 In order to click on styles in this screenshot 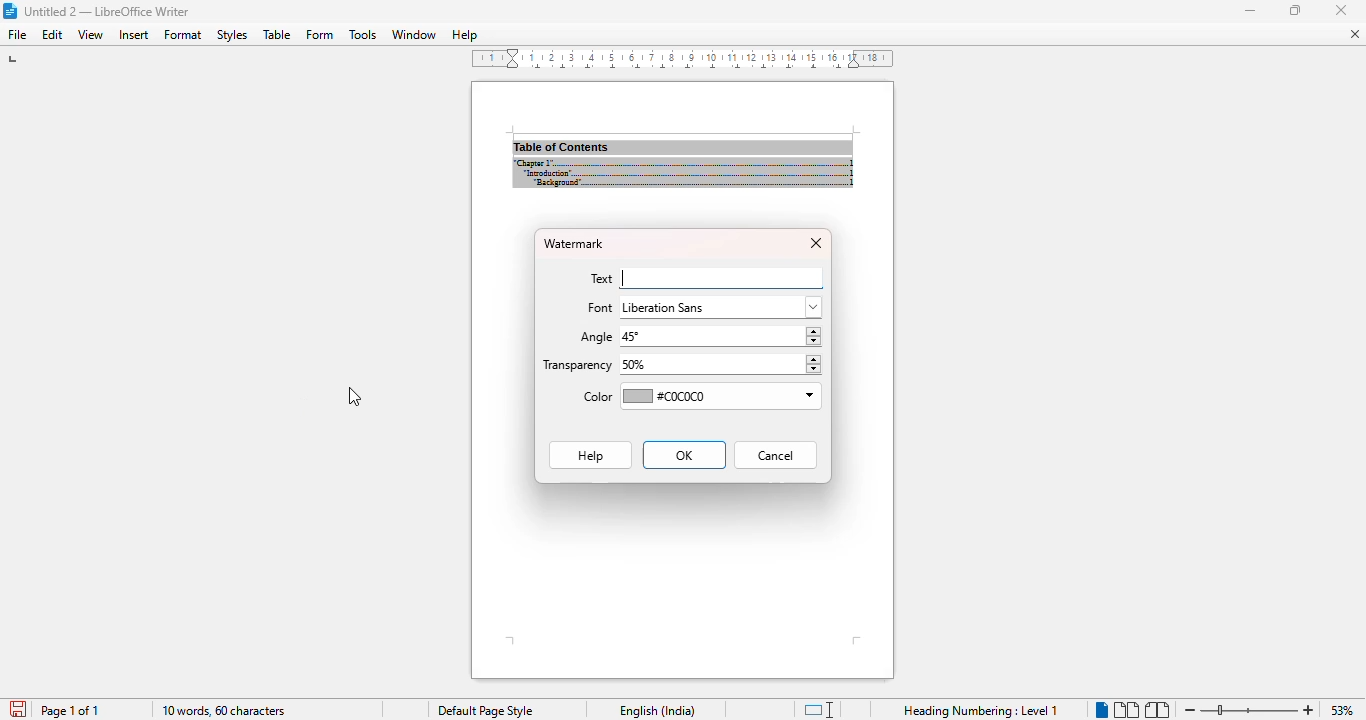, I will do `click(232, 35)`.